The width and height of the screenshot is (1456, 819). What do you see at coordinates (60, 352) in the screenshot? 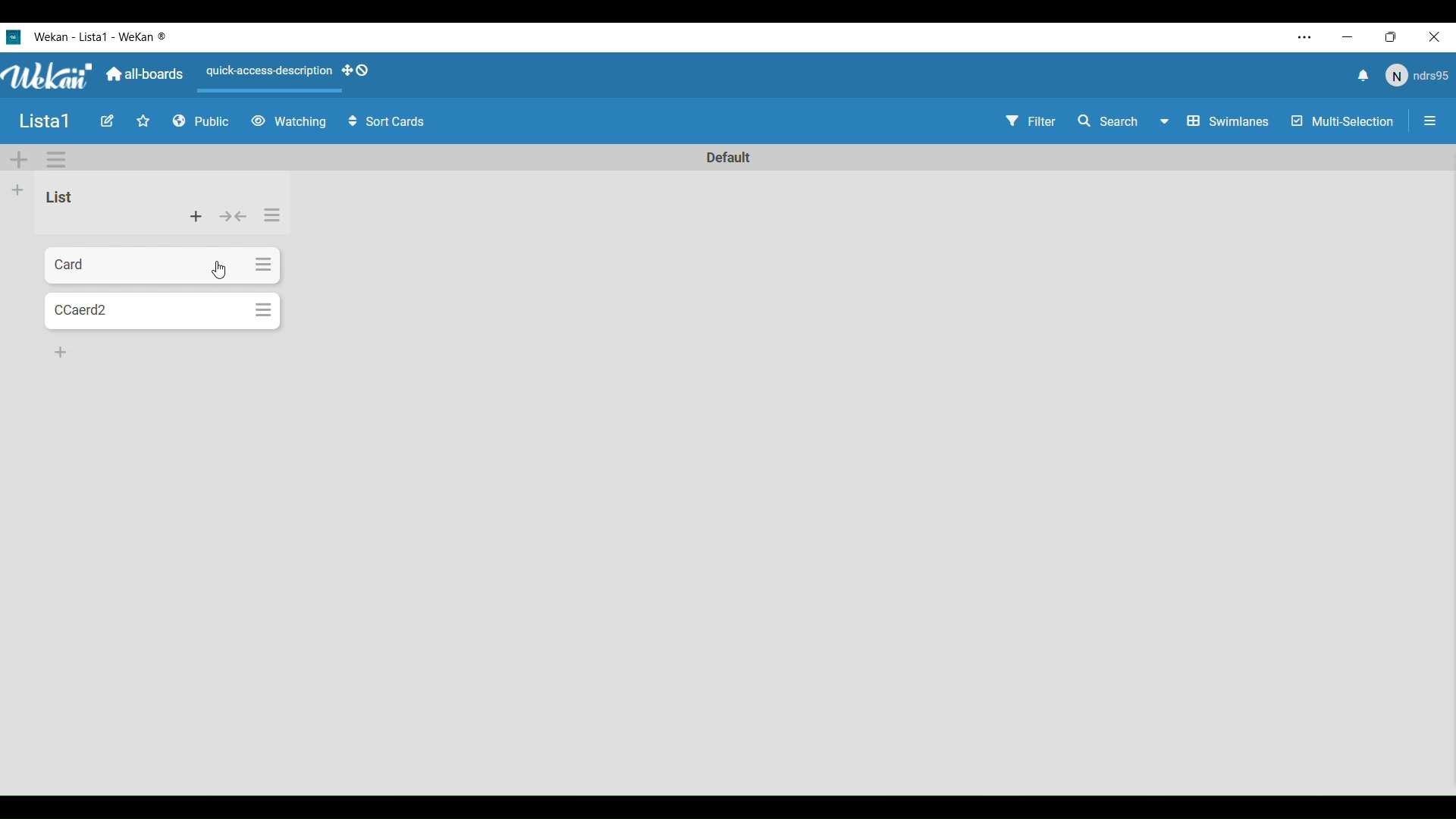
I see `Add` at bounding box center [60, 352].